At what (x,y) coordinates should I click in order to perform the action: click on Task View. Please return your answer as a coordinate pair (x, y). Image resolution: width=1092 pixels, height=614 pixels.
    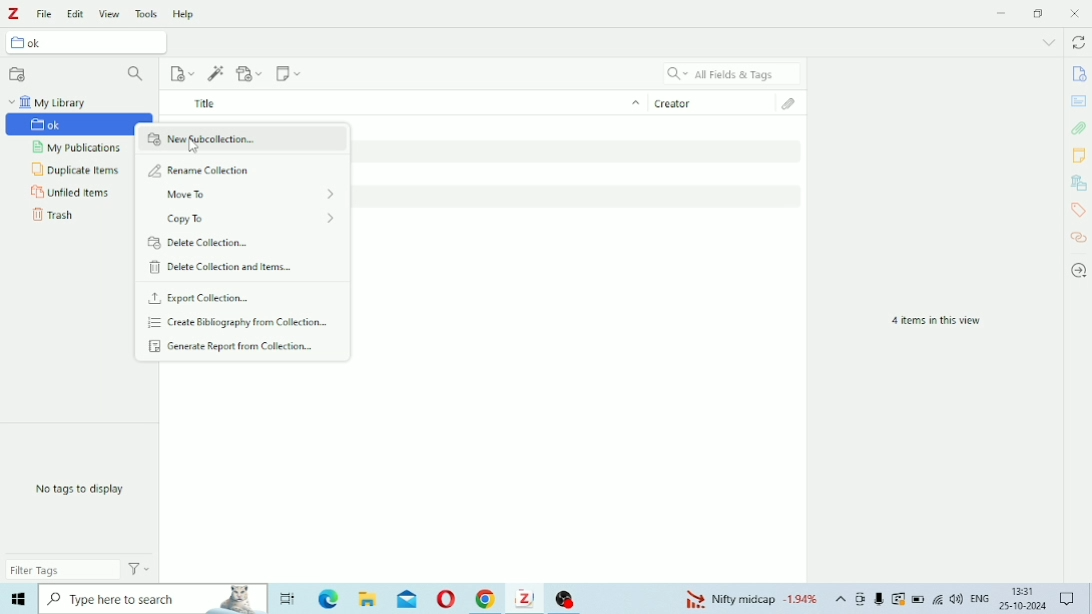
    Looking at the image, I should click on (288, 599).